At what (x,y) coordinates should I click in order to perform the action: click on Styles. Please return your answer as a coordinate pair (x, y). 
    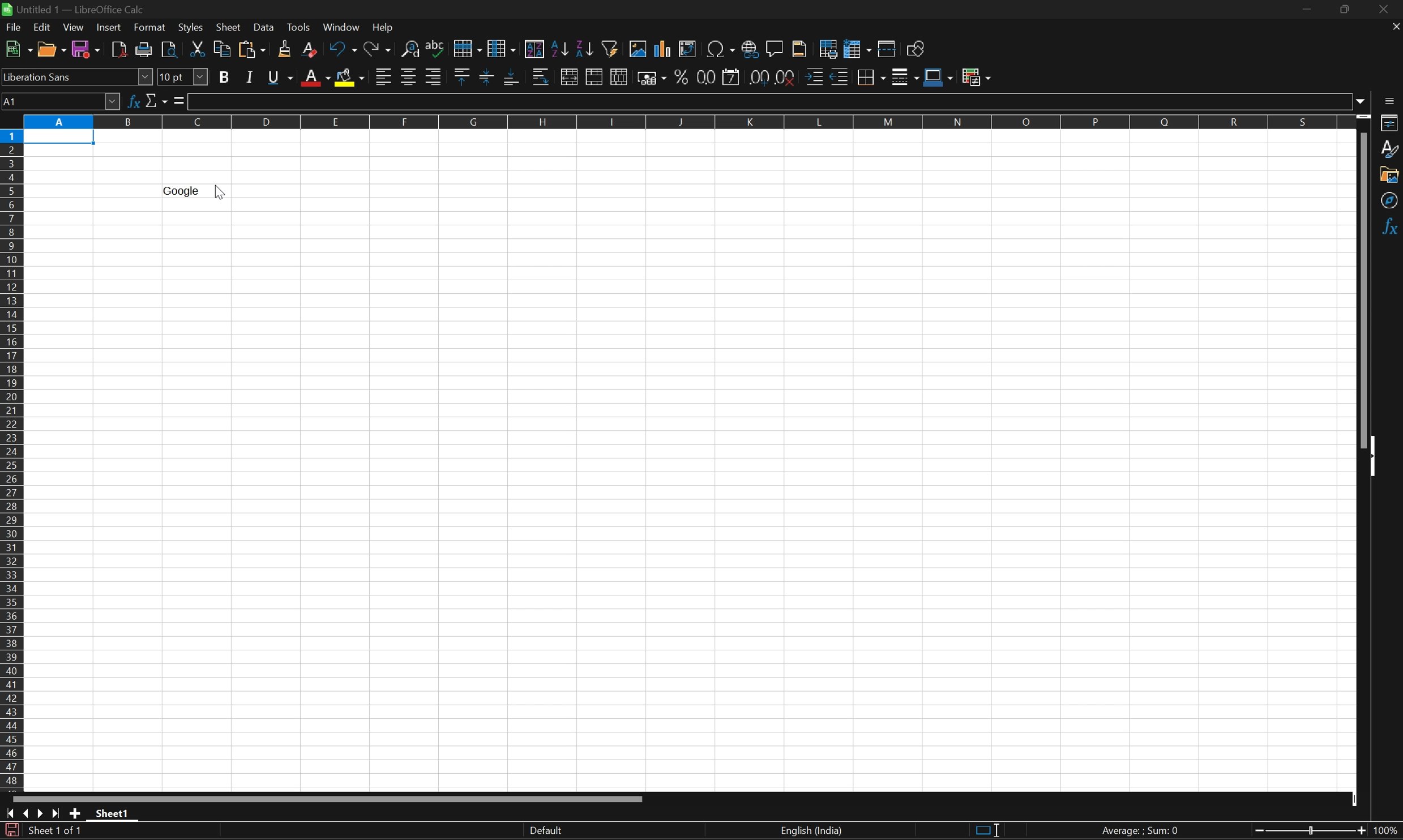
    Looking at the image, I should click on (191, 29).